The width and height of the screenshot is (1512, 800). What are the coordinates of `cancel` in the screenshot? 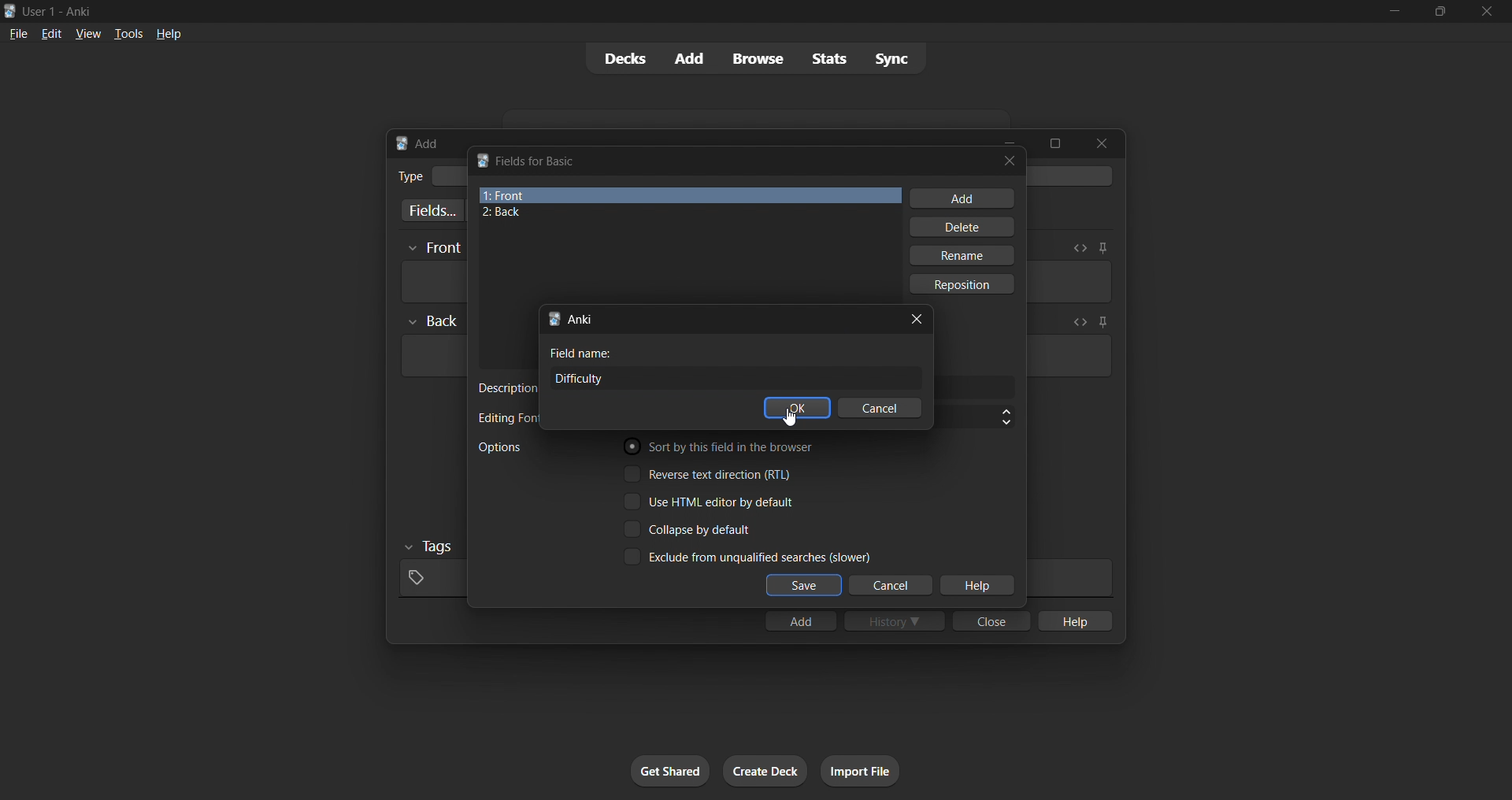 It's located at (892, 586).